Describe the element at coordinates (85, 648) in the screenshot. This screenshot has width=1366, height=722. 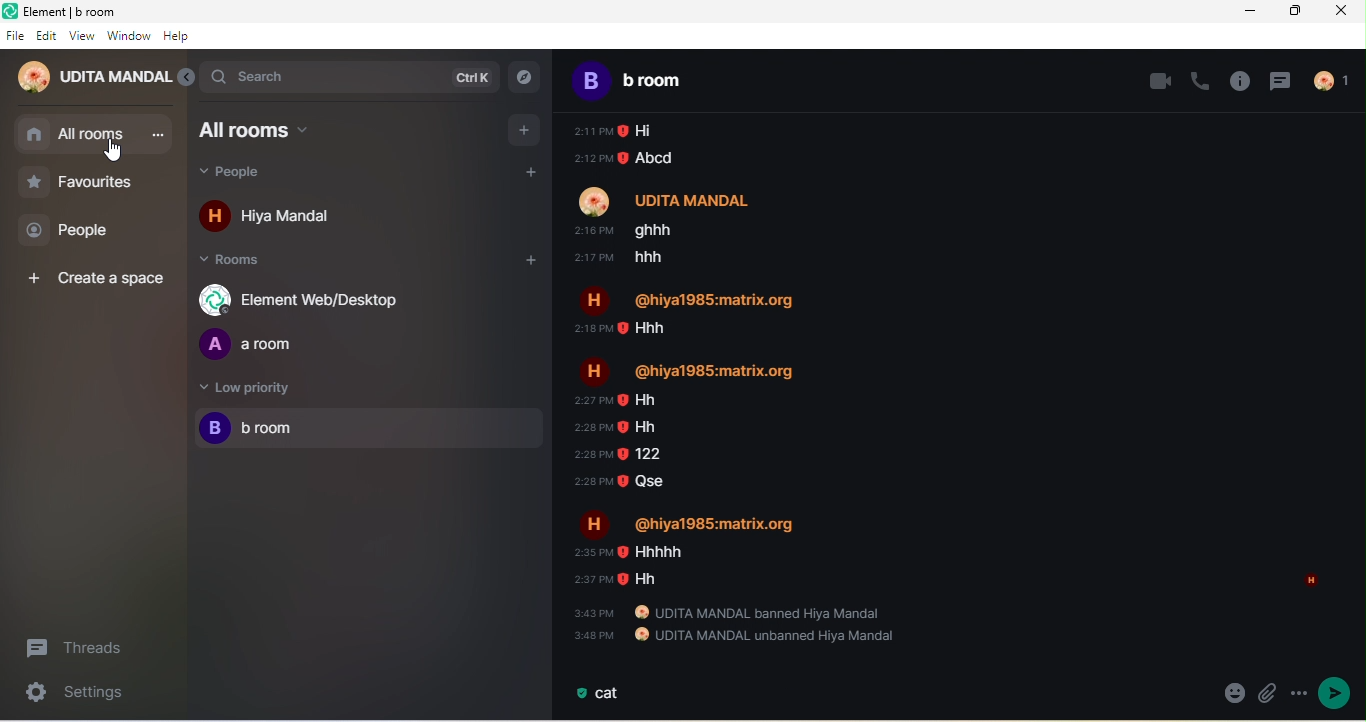
I see `threads` at that location.